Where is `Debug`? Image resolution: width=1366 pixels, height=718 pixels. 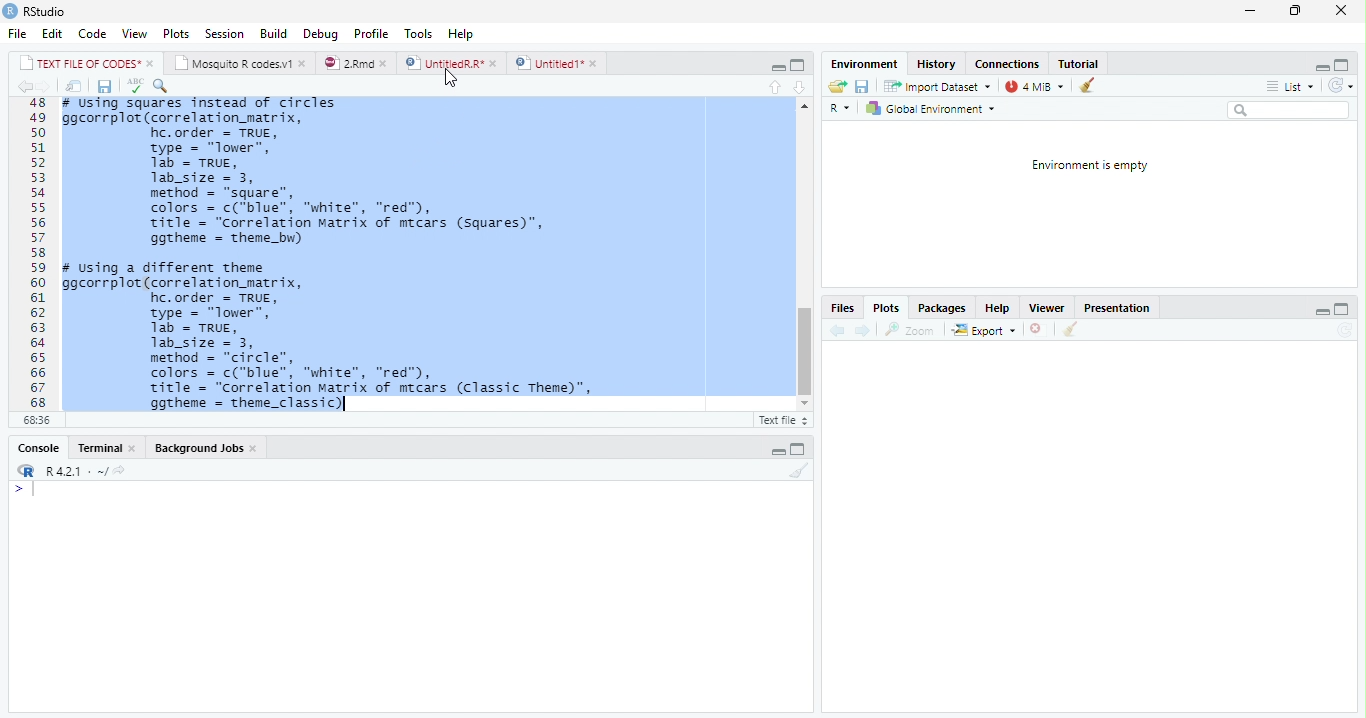 Debug is located at coordinates (322, 34).